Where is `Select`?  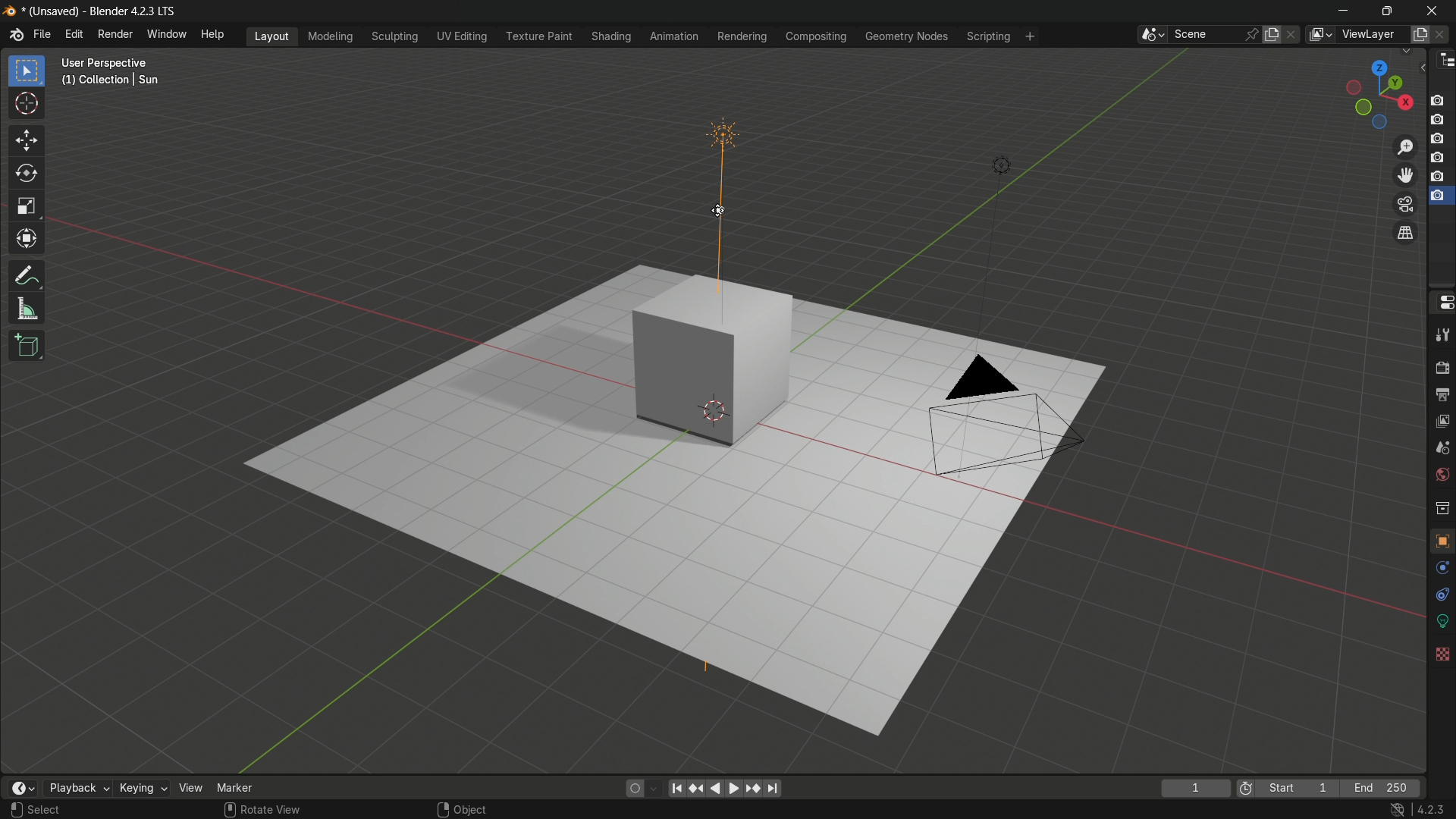
Select is located at coordinates (45, 810).